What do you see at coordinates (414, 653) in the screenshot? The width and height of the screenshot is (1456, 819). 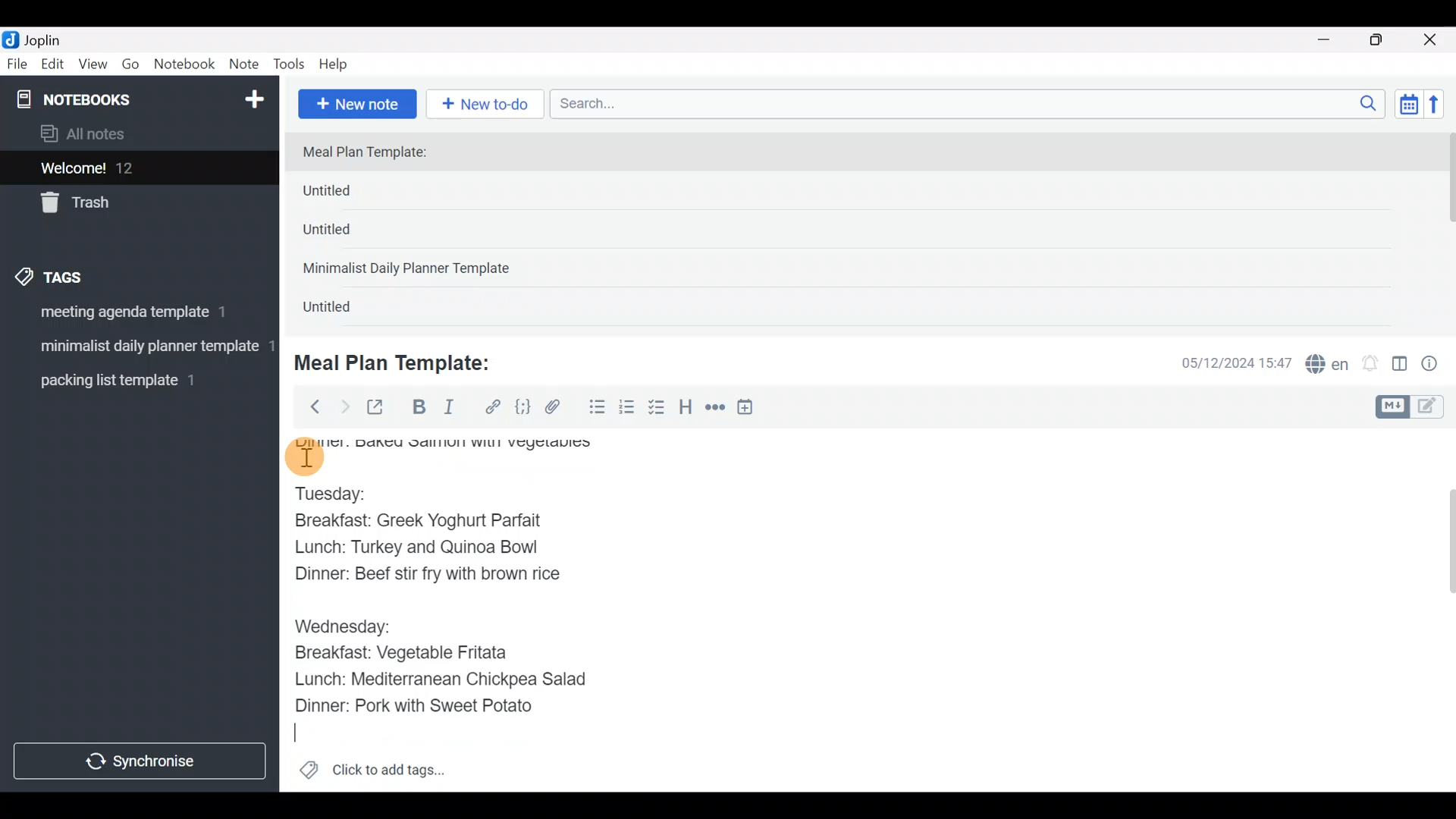 I see `Breakfast: Vegetable Fritata` at bounding box center [414, 653].